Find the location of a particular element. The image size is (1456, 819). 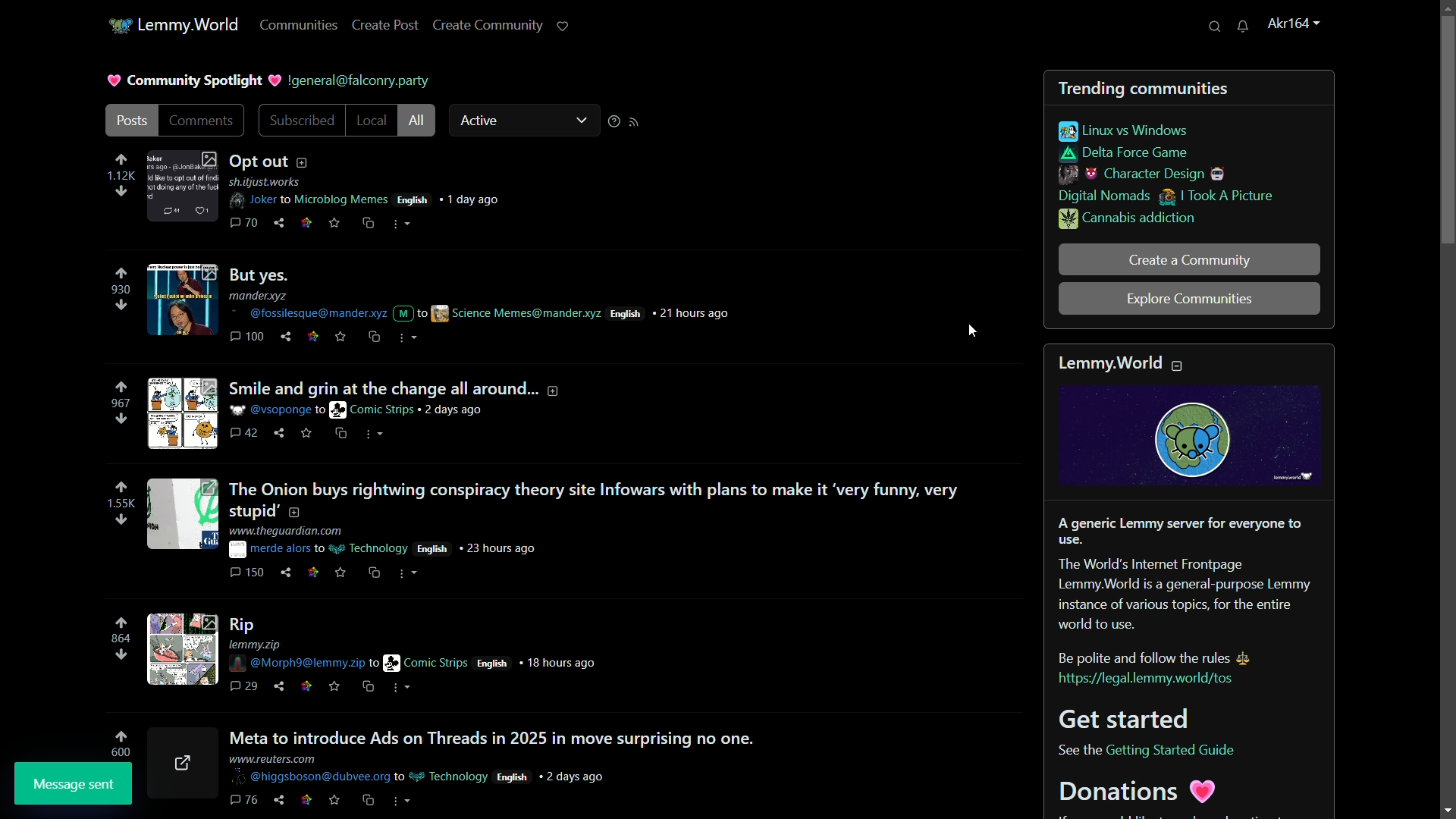

image is located at coordinates (184, 299).